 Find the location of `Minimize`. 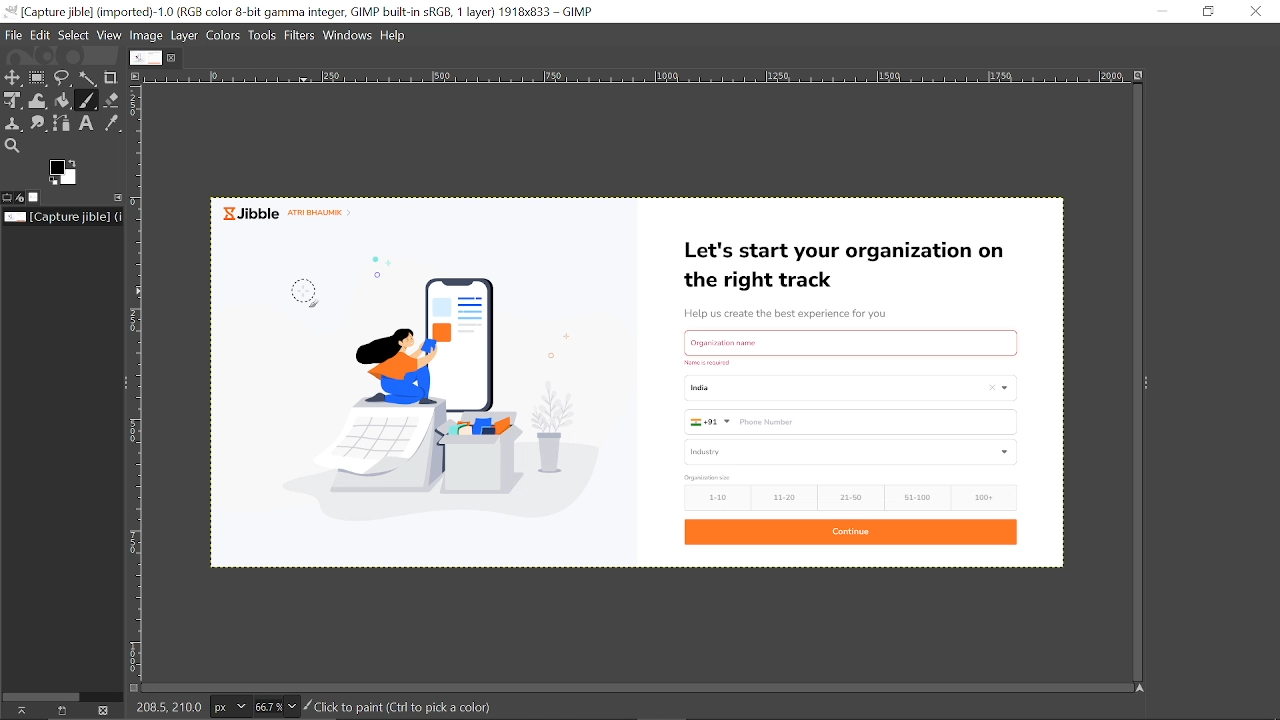

Minimize is located at coordinates (1162, 10).